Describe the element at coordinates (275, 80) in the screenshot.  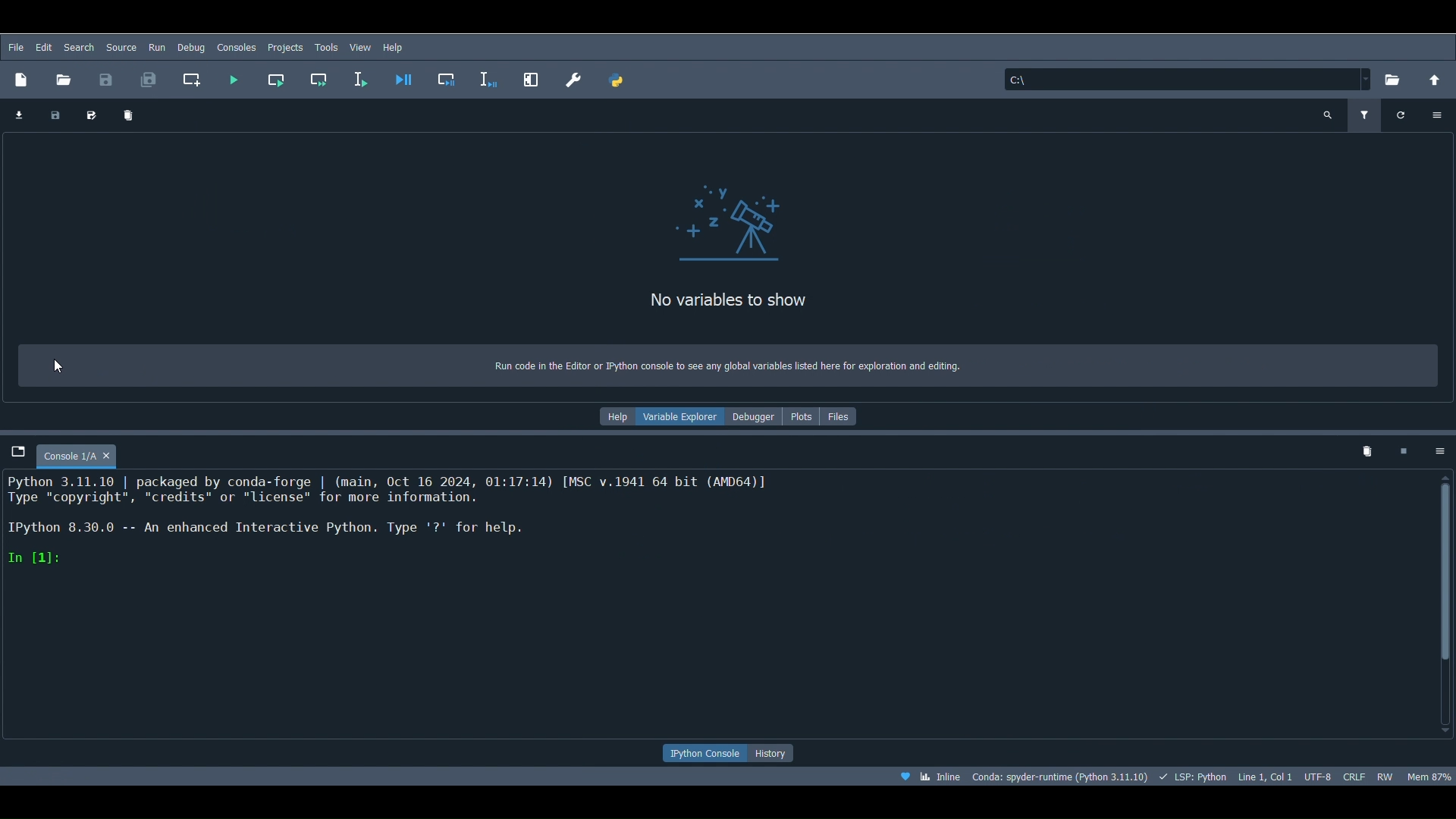
I see `Run current cell (Ctrl + Return)` at that location.